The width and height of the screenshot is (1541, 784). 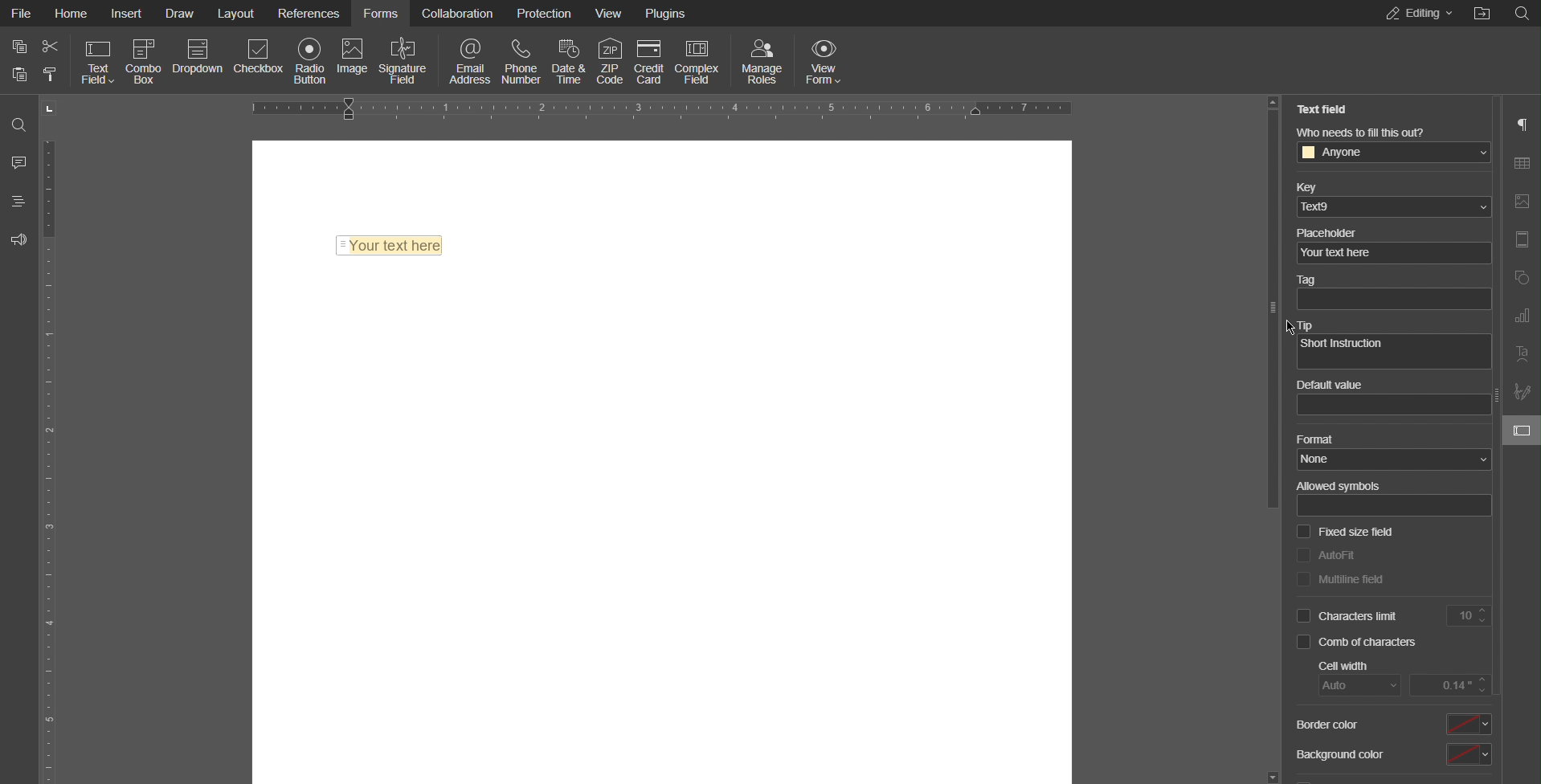 What do you see at coordinates (547, 12) in the screenshot?
I see `Protection` at bounding box center [547, 12].